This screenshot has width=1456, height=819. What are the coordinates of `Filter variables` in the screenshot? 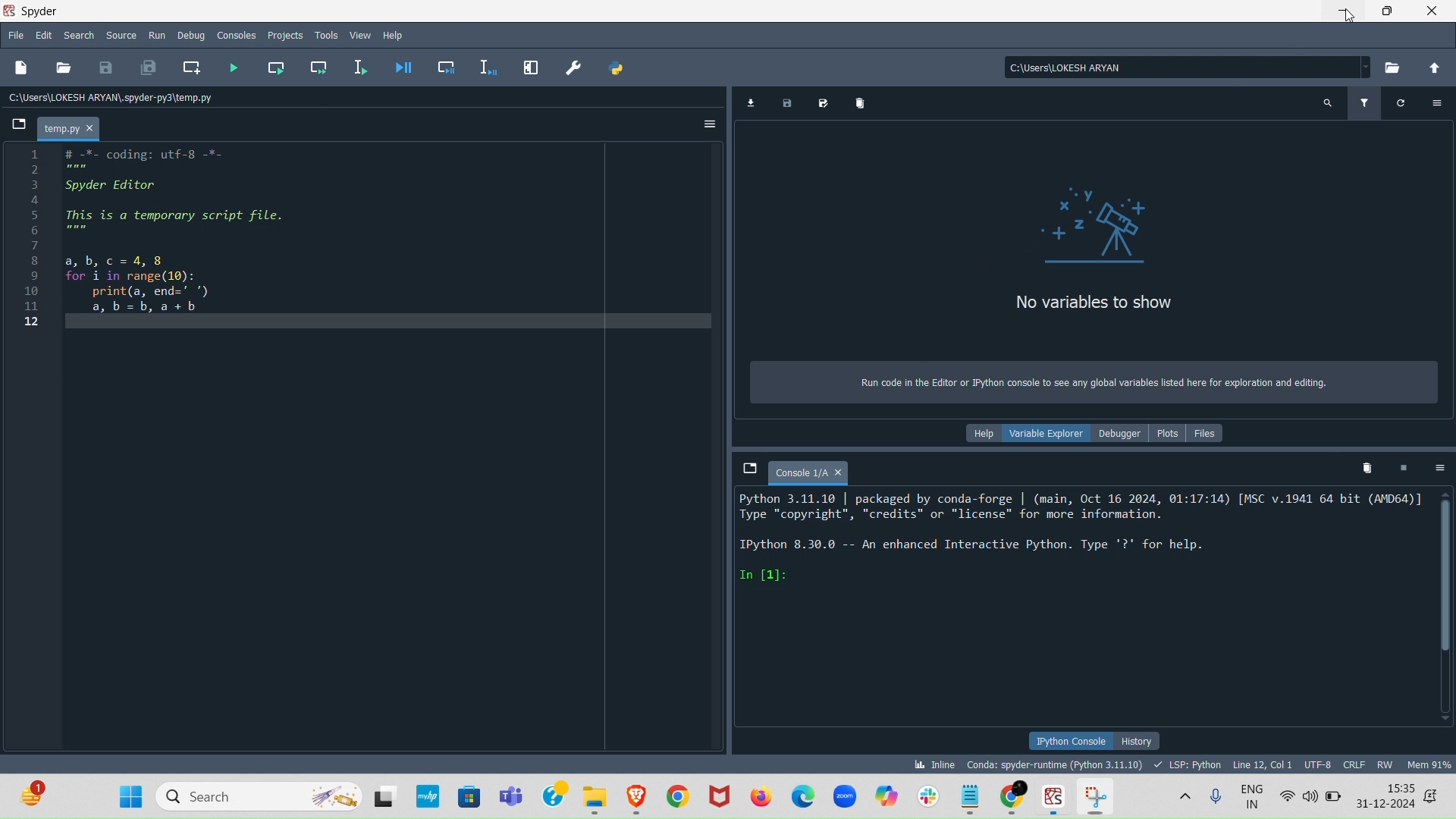 It's located at (1364, 100).